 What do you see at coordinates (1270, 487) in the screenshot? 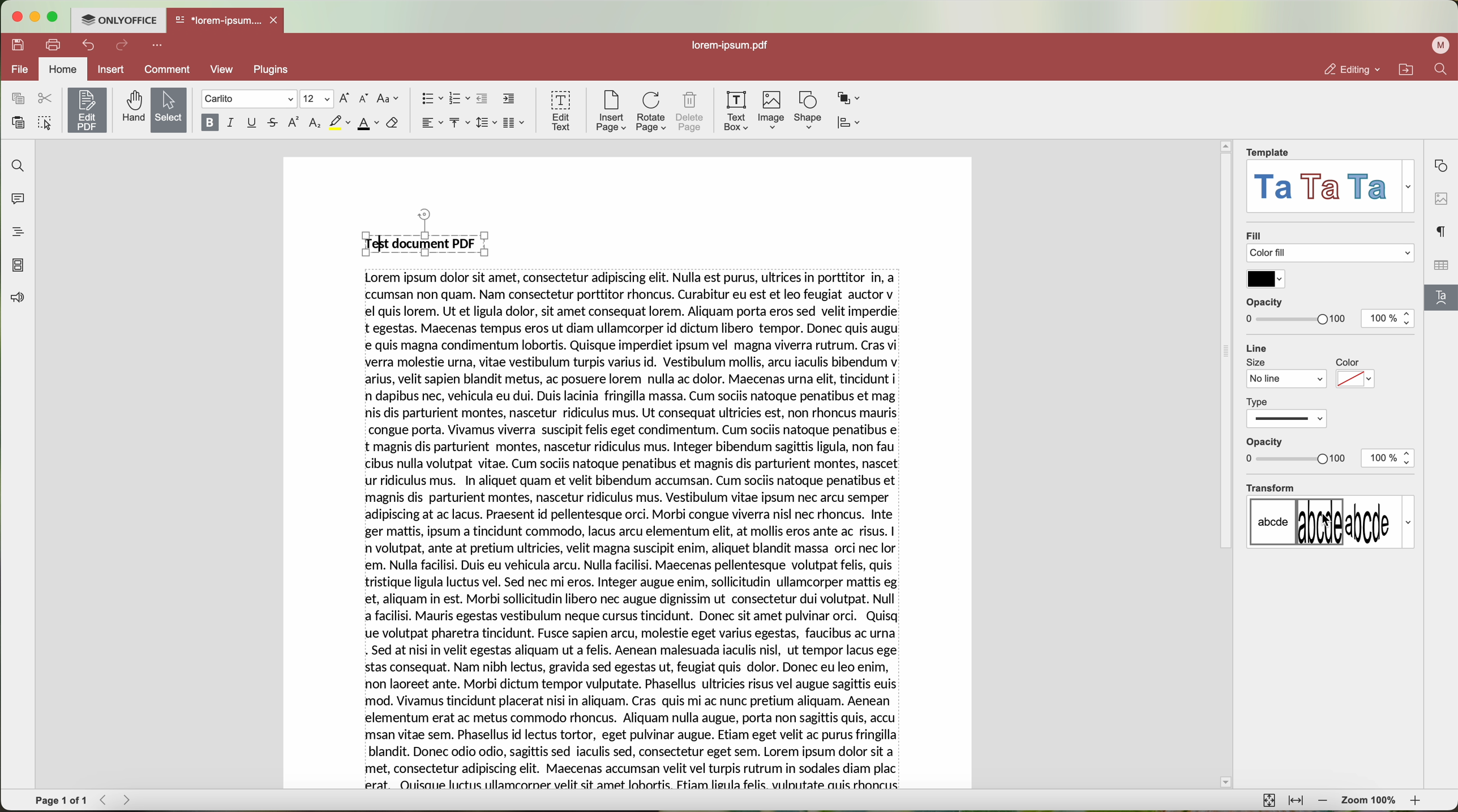
I see `transform` at bounding box center [1270, 487].